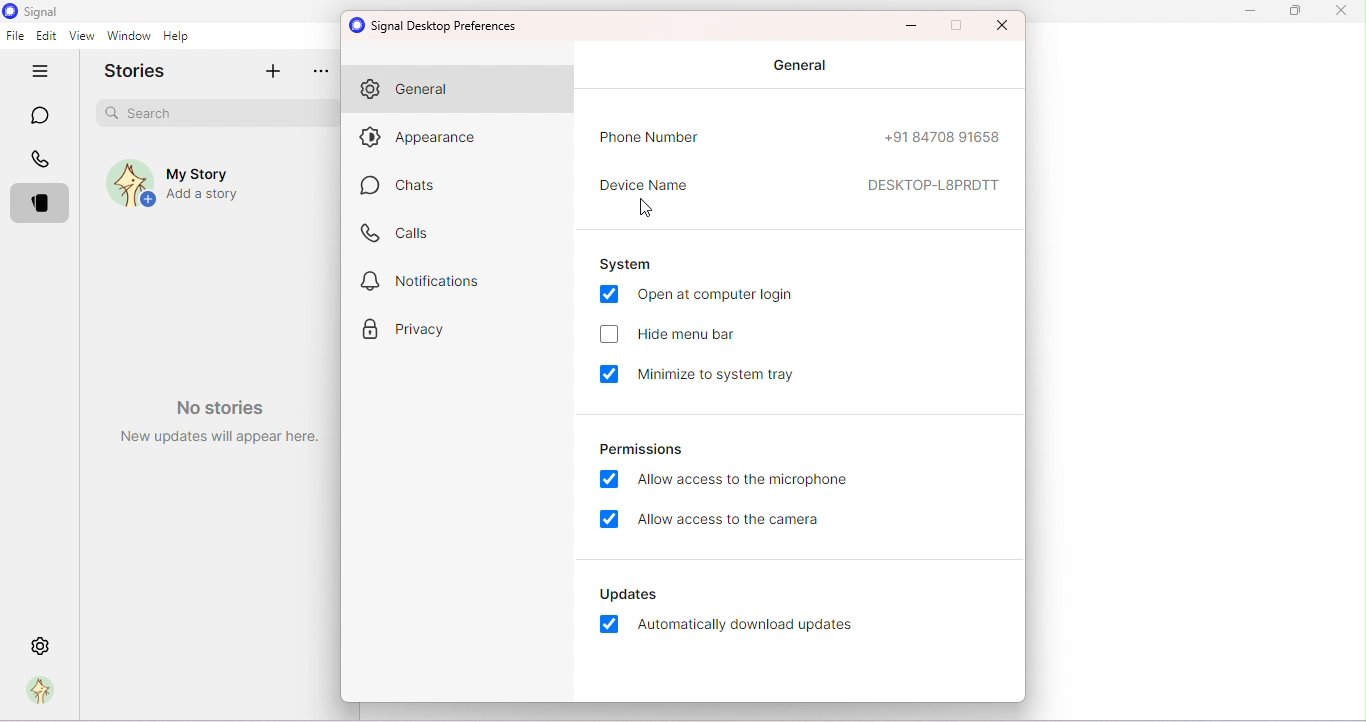 This screenshot has width=1366, height=722. Describe the element at coordinates (405, 87) in the screenshot. I see `General` at that location.